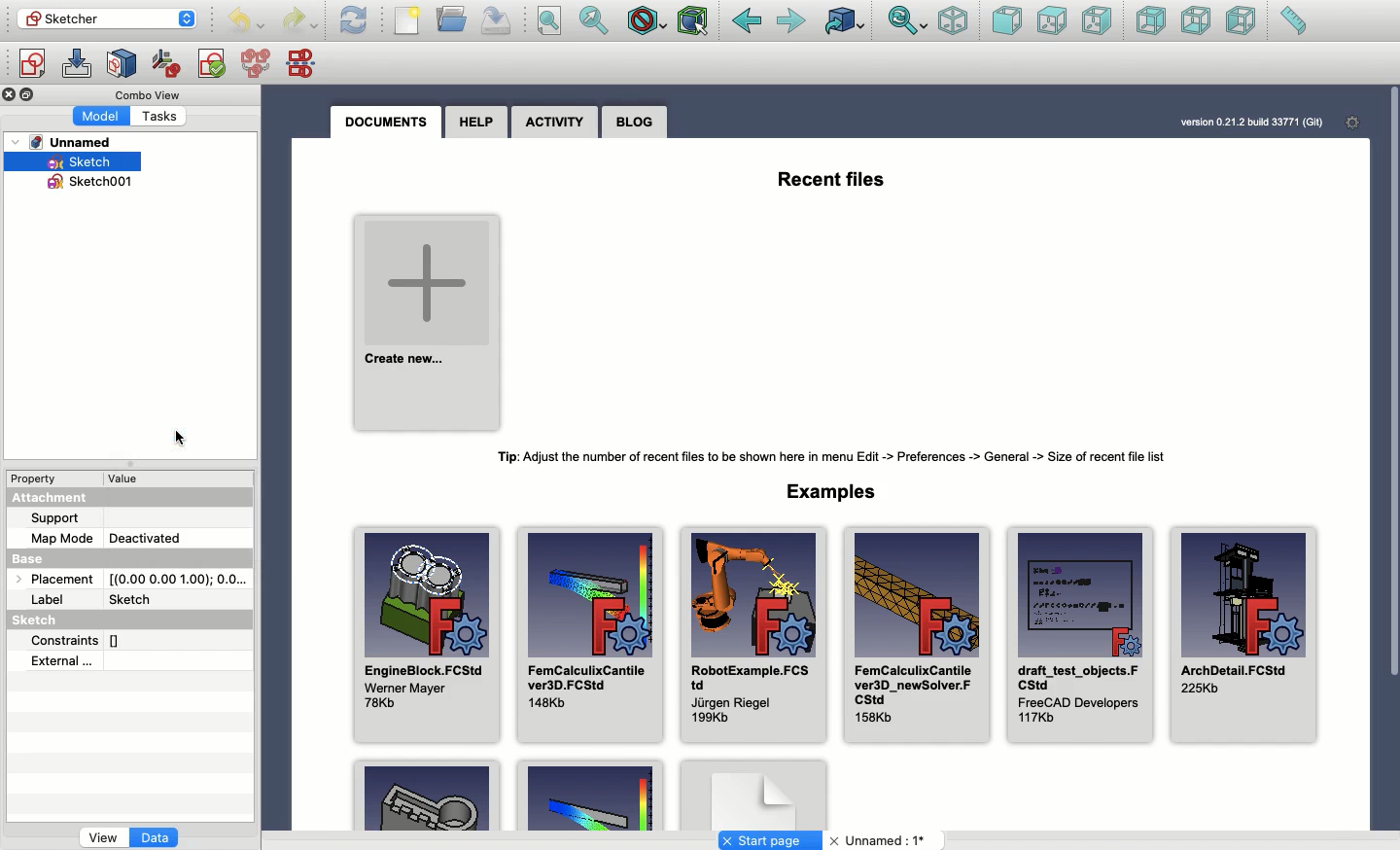 This screenshot has height=850, width=1400. Describe the element at coordinates (833, 177) in the screenshot. I see `Recent files` at that location.